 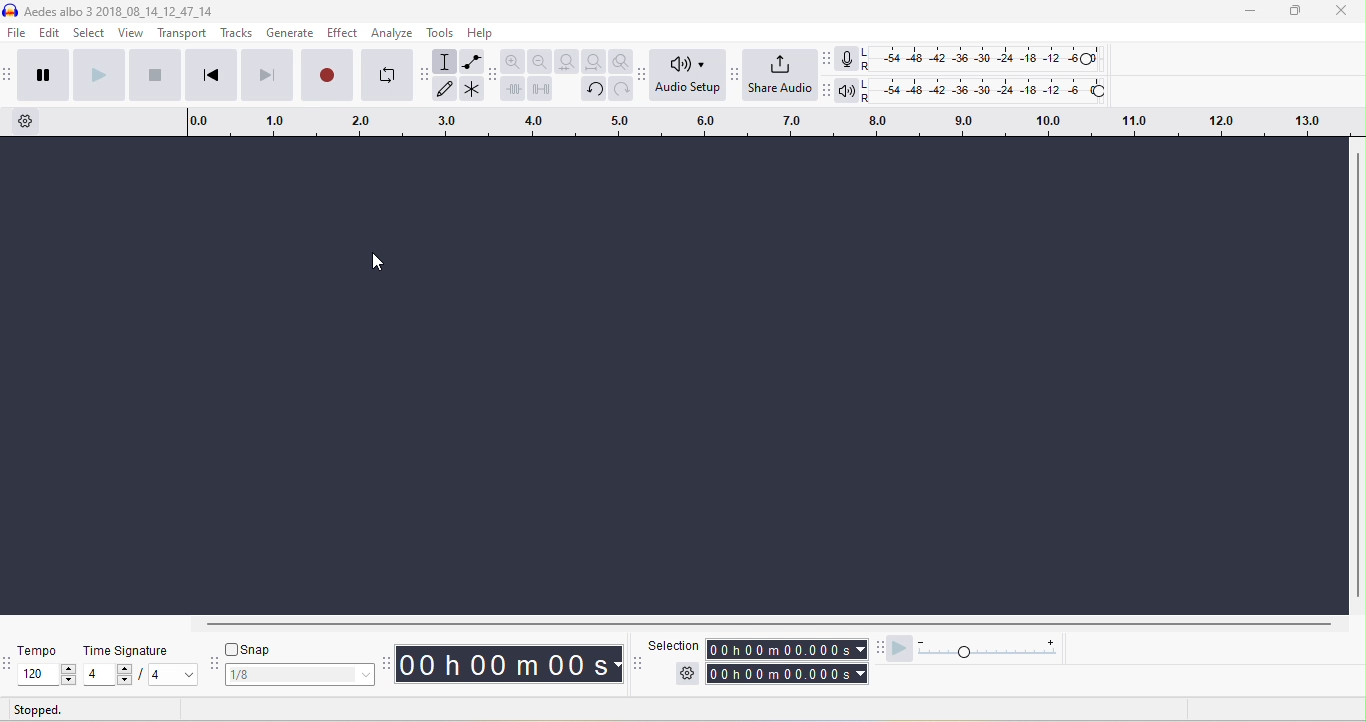 What do you see at coordinates (622, 89) in the screenshot?
I see `redo` at bounding box center [622, 89].